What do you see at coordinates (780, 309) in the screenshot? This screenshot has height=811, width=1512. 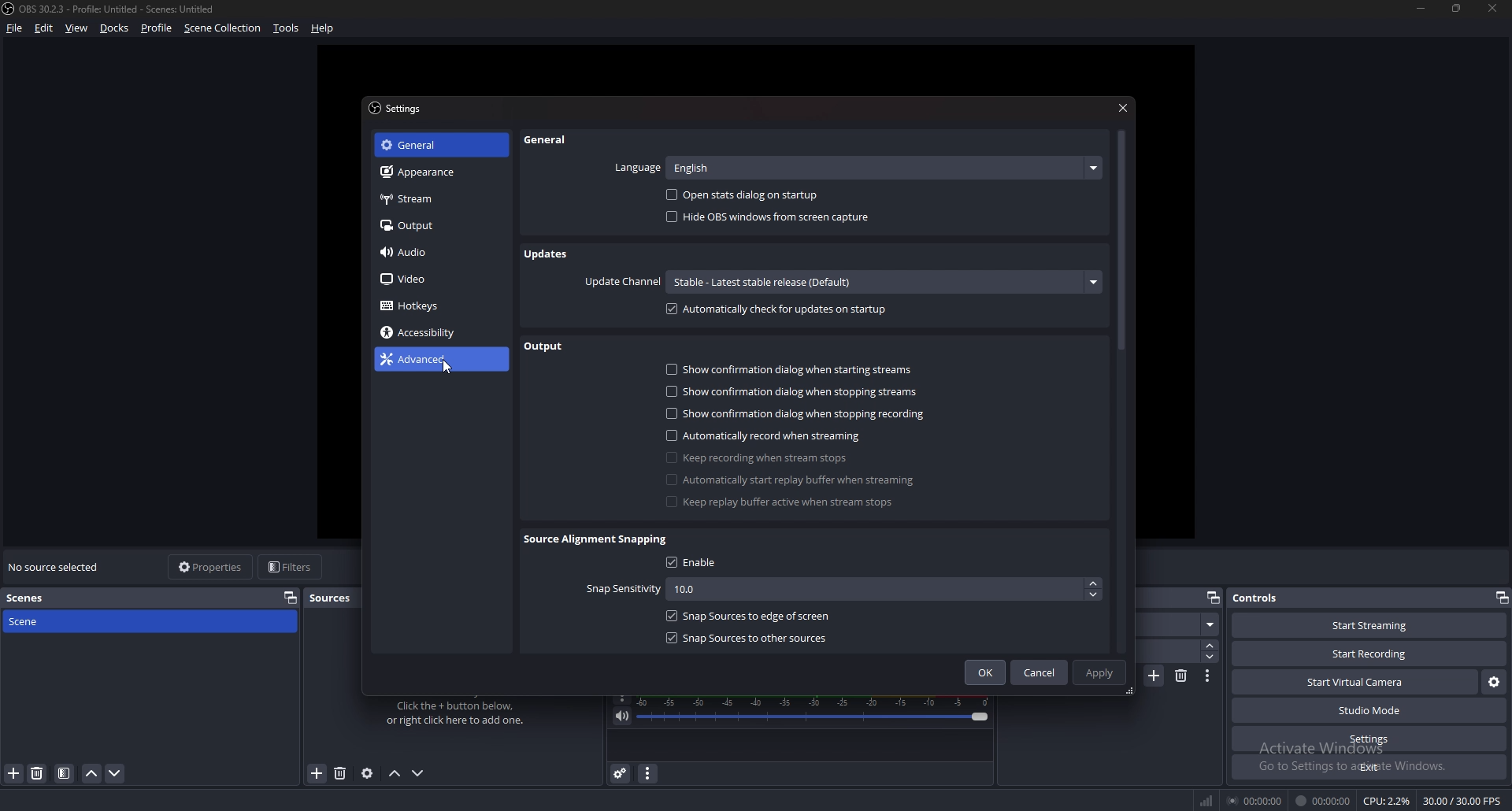 I see `Automatically check for updates on startup` at bounding box center [780, 309].